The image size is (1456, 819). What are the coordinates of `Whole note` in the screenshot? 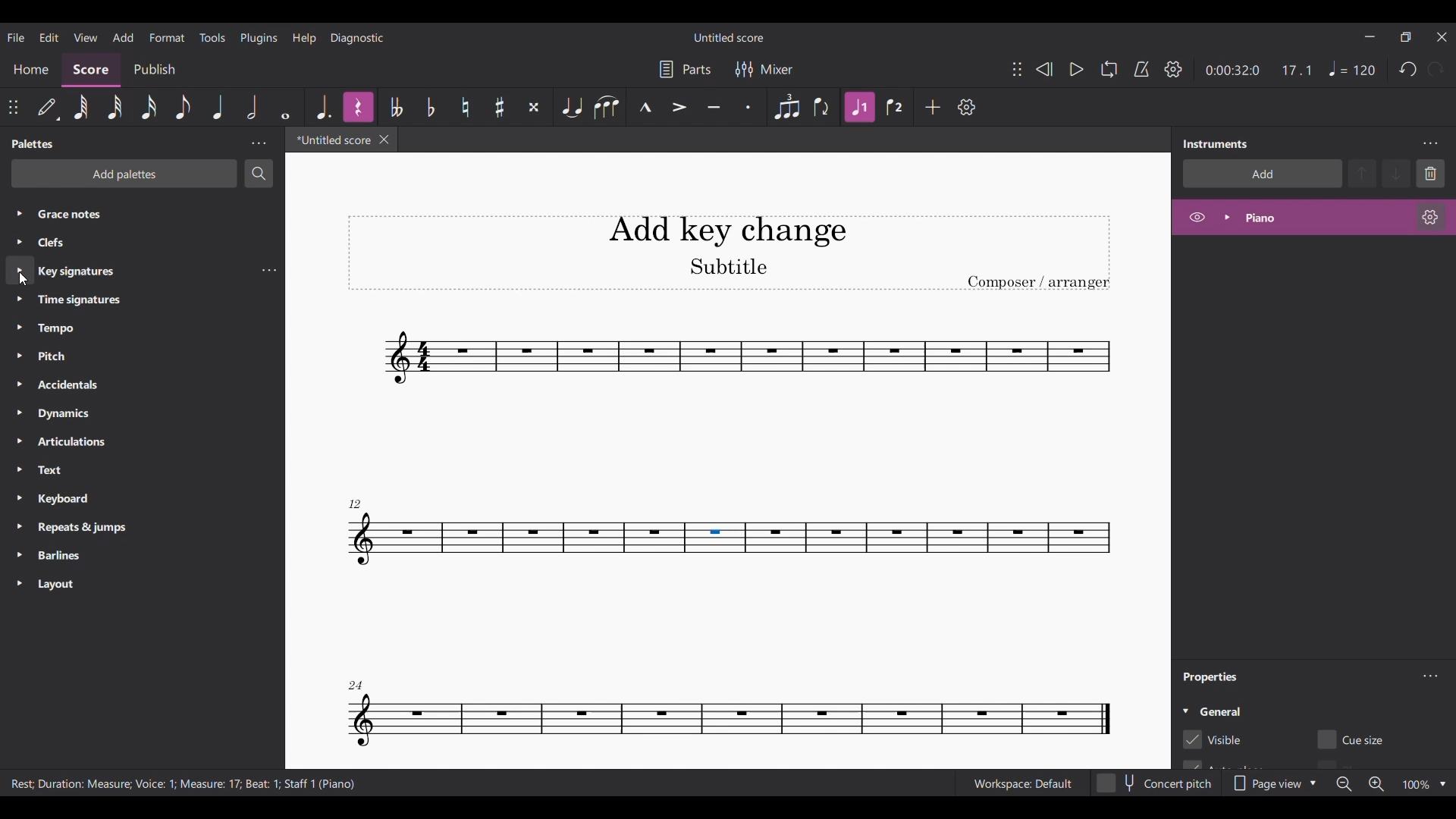 It's located at (285, 108).